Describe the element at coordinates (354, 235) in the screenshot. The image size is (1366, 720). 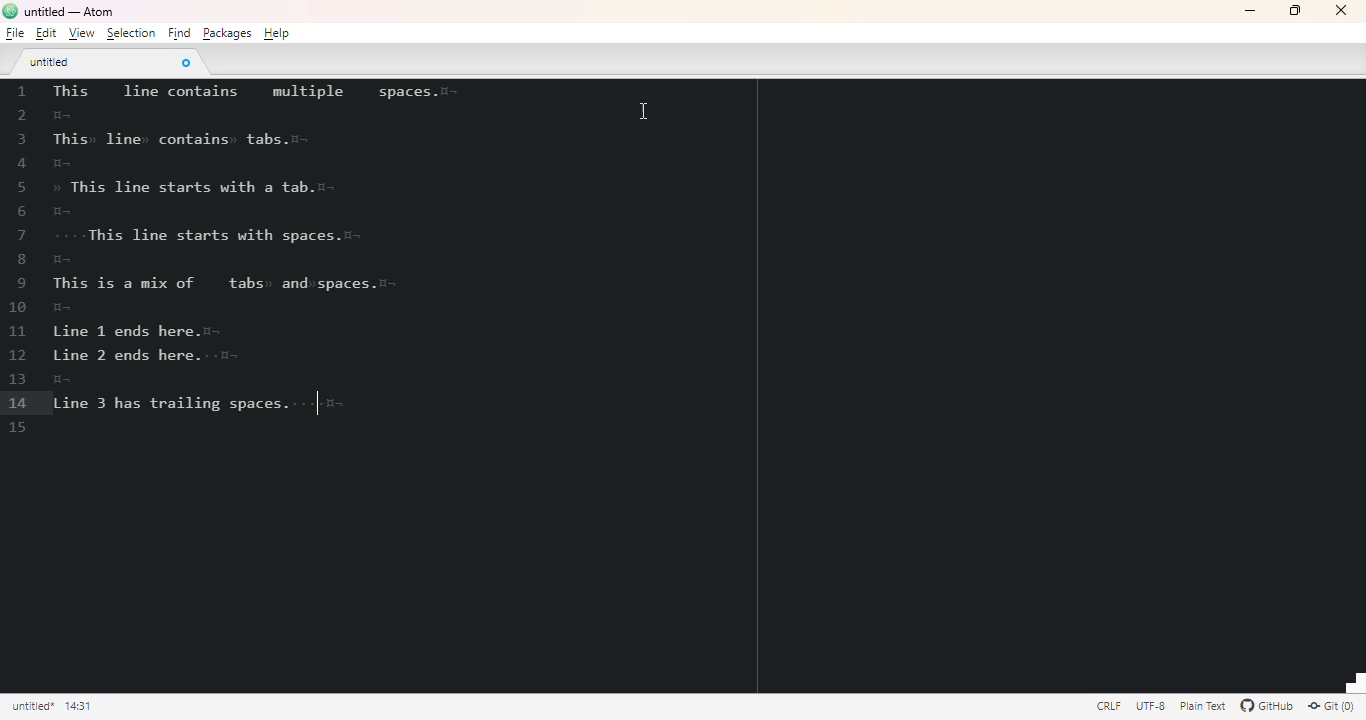
I see `invisible characters` at that location.